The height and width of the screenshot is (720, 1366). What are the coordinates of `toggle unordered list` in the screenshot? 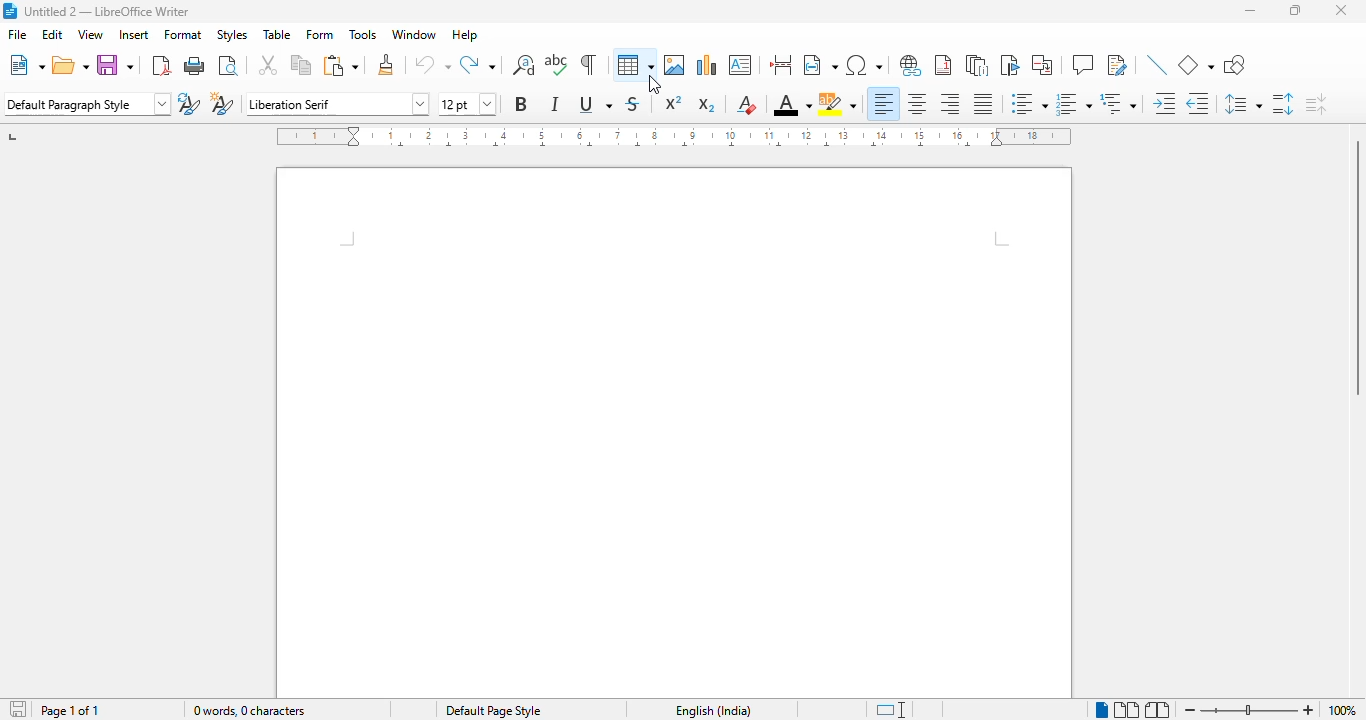 It's located at (1029, 103).